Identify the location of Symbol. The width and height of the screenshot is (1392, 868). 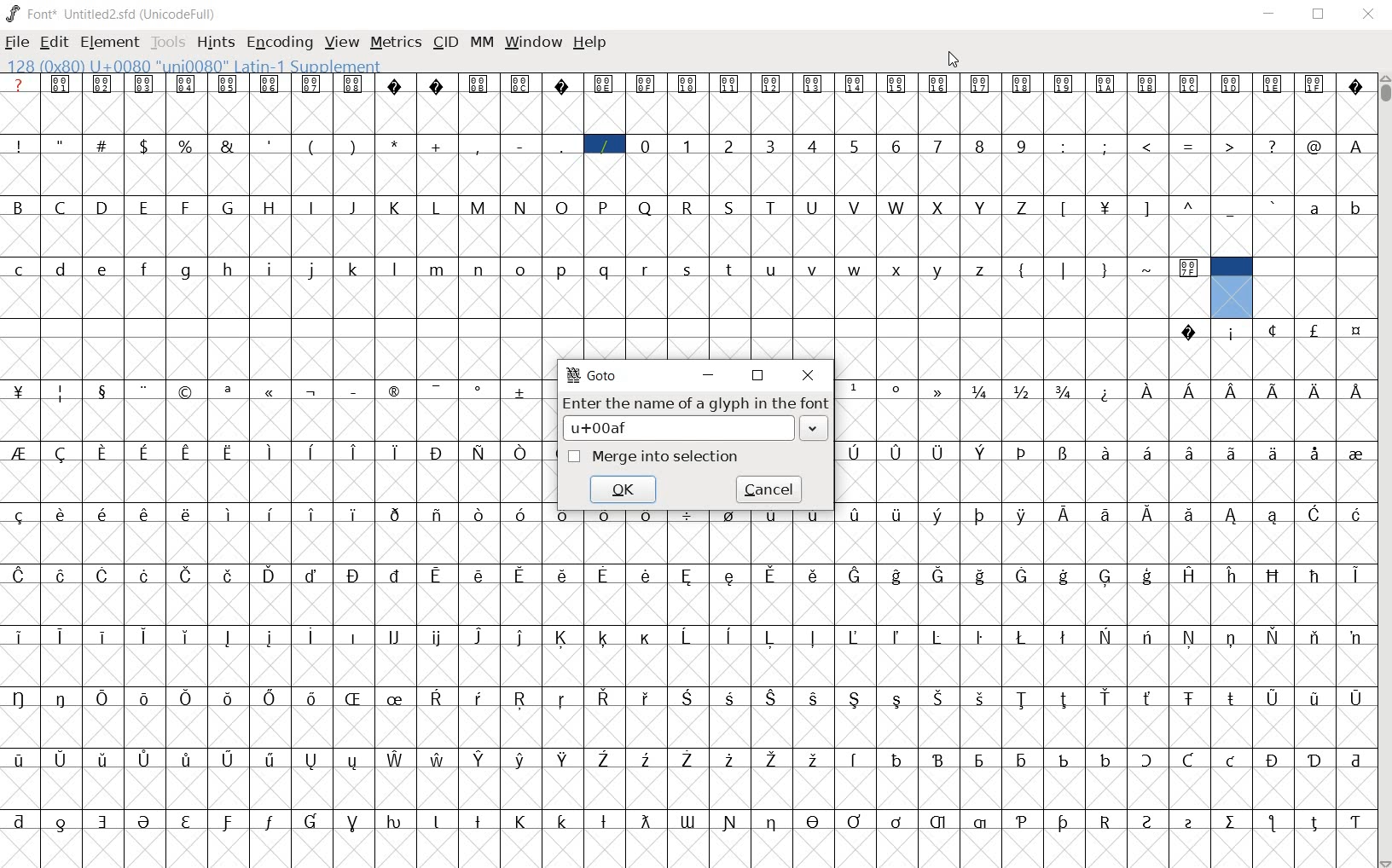
(439, 758).